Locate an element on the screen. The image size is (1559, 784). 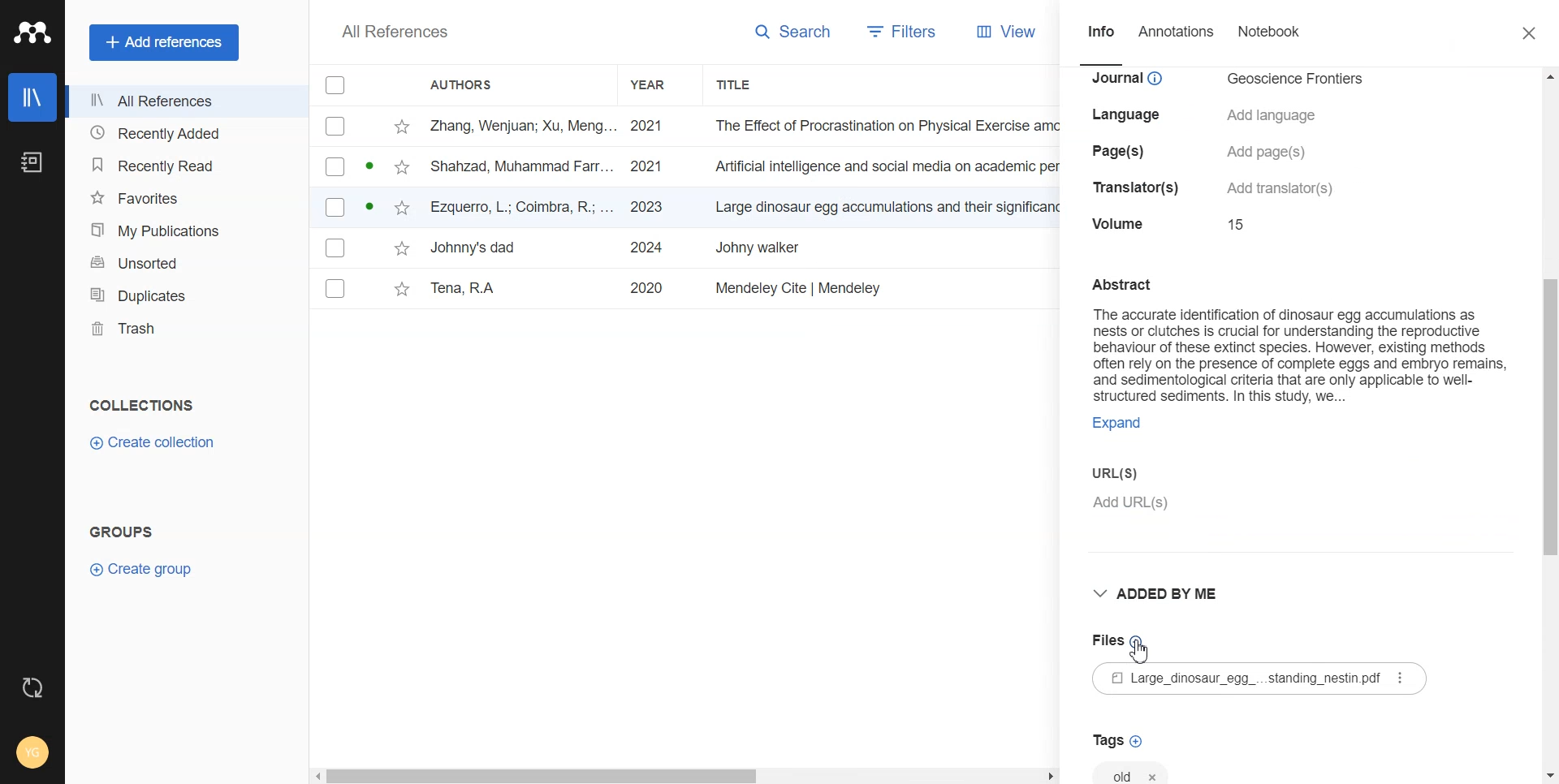
Add URL is located at coordinates (1294, 510).